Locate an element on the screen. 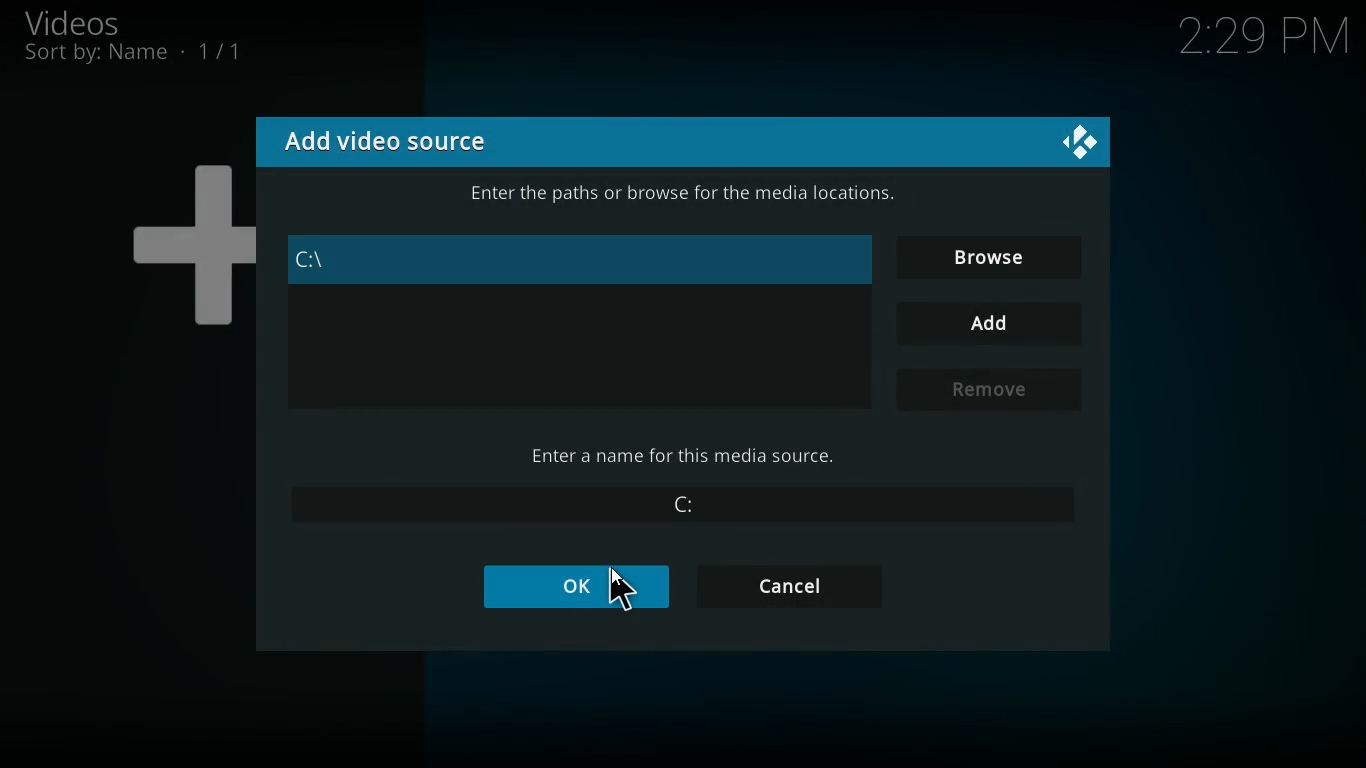 The image size is (1366, 768).  + is located at coordinates (186, 237).